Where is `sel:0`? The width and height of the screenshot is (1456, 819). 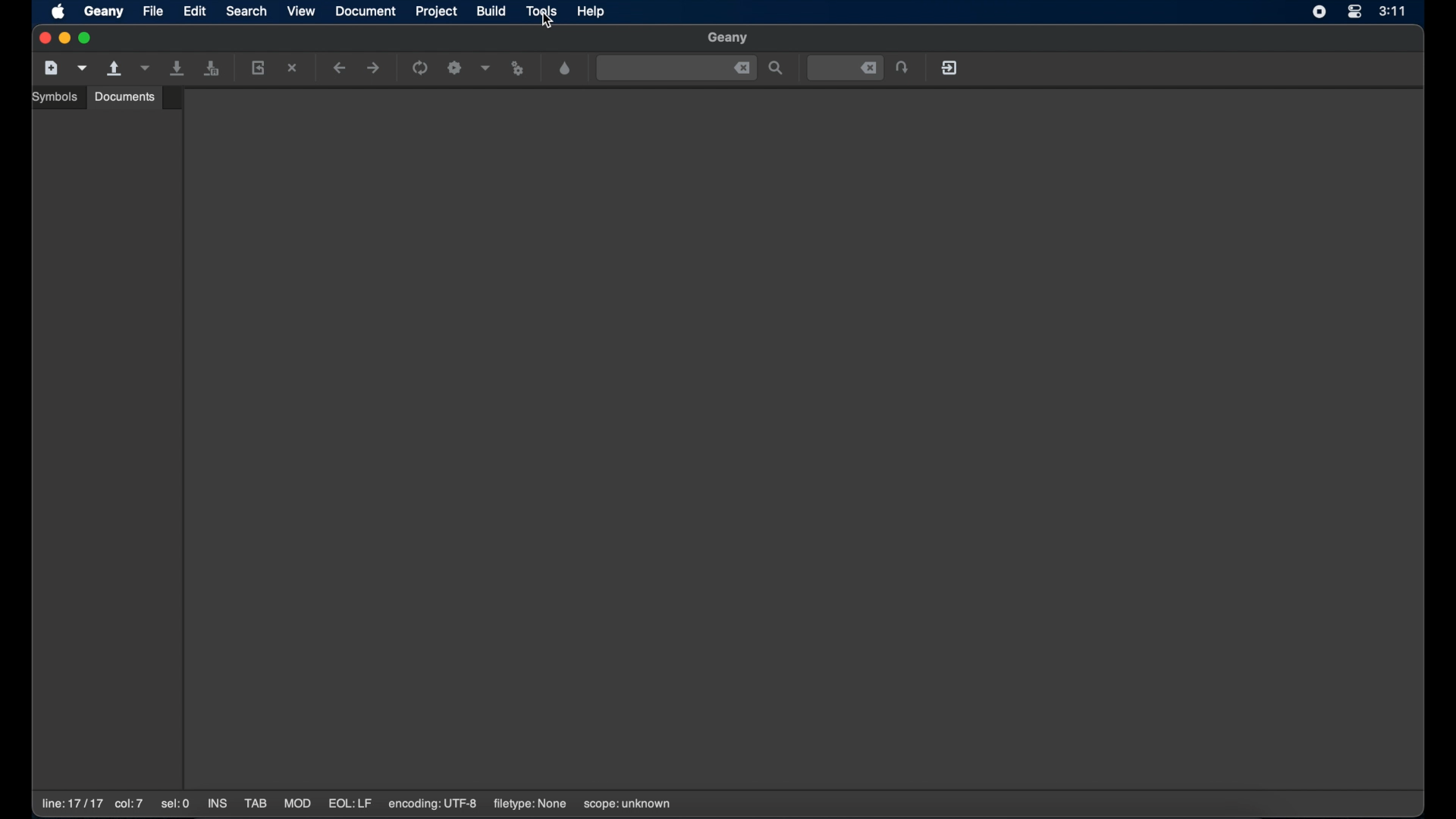
sel:0 is located at coordinates (177, 805).